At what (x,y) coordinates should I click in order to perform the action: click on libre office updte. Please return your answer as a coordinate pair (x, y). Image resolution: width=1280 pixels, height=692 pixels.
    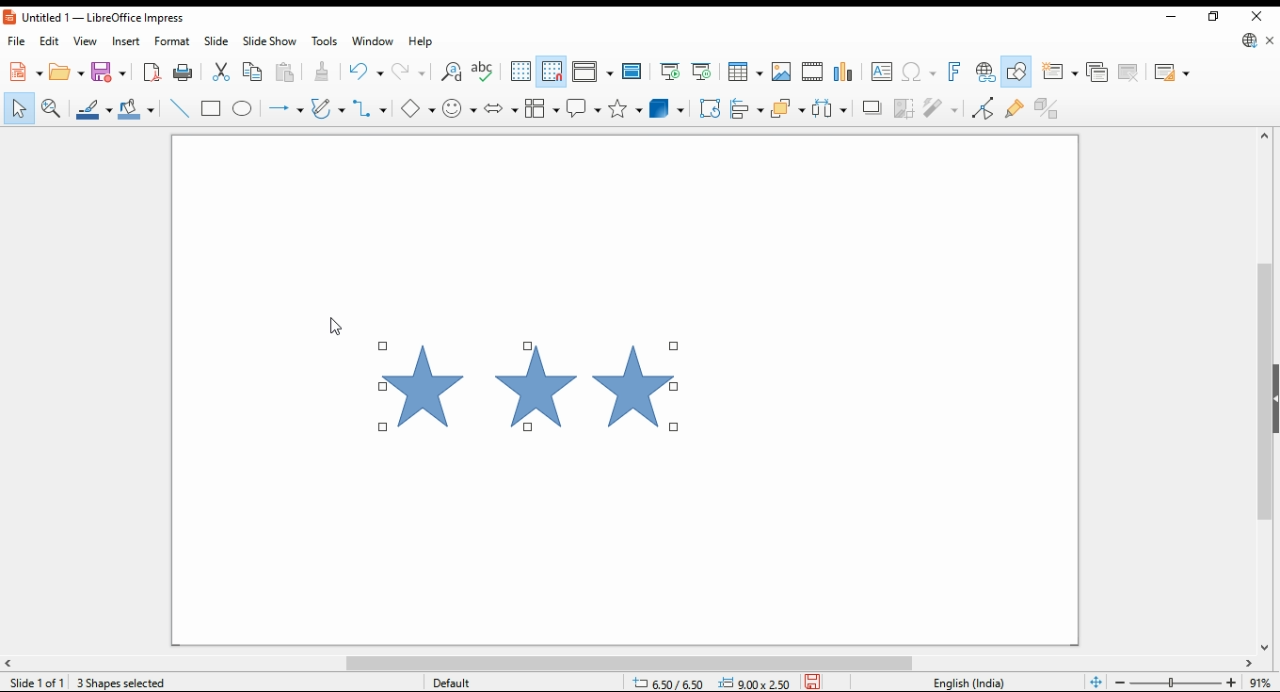
    Looking at the image, I should click on (1247, 40).